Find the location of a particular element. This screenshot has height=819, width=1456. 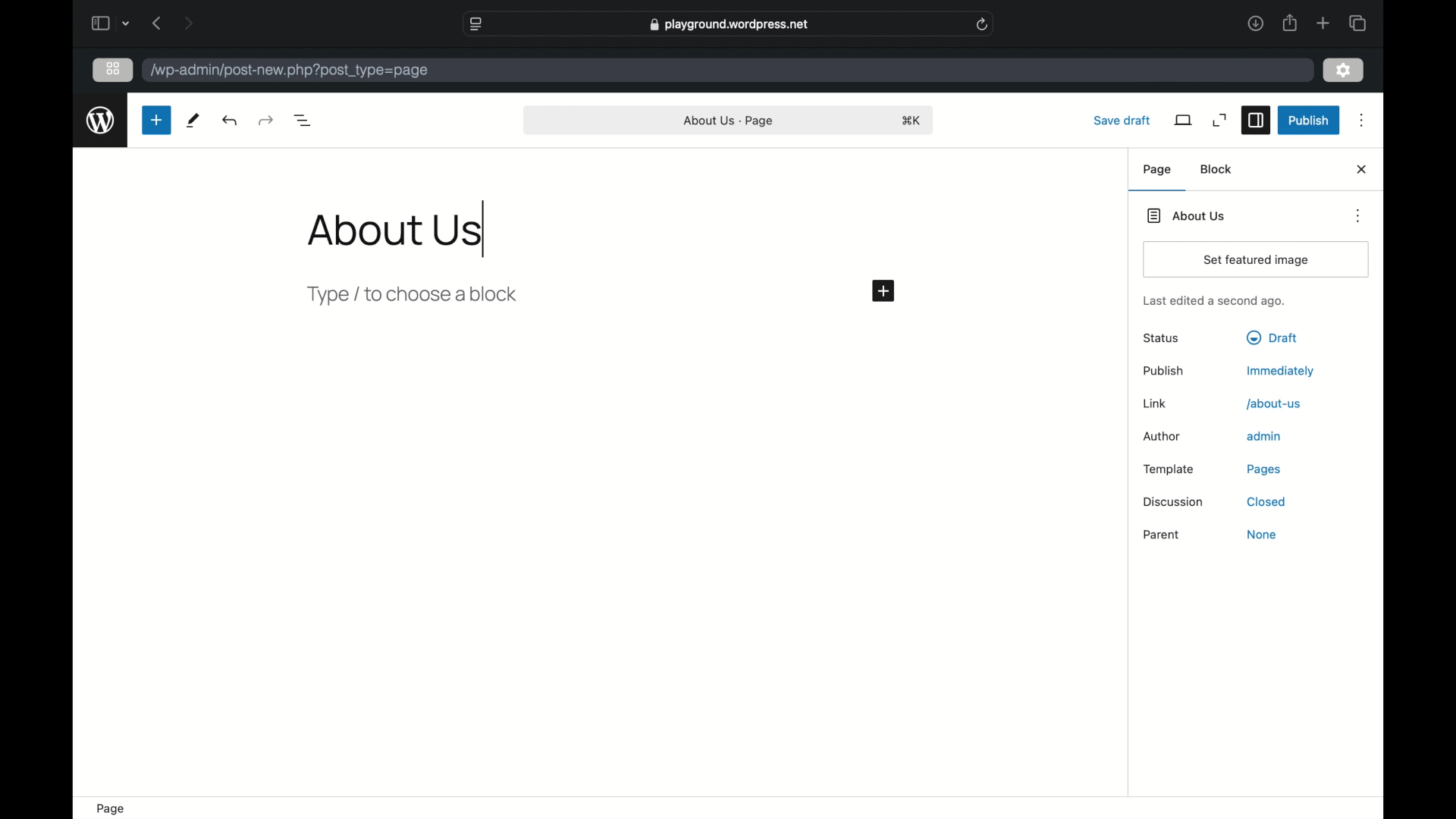

more options is located at coordinates (1360, 215).